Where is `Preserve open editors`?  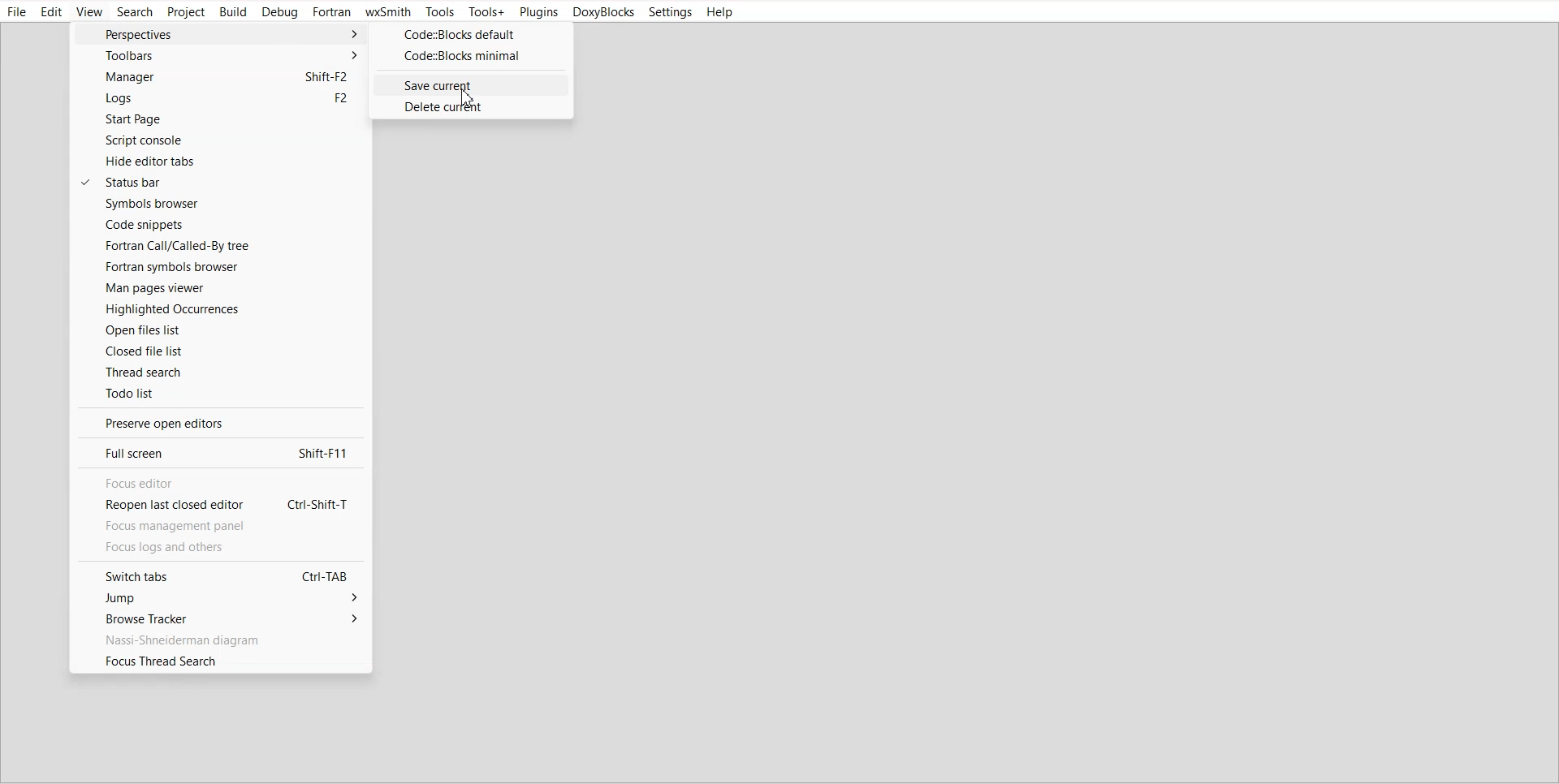
Preserve open editors is located at coordinates (217, 423).